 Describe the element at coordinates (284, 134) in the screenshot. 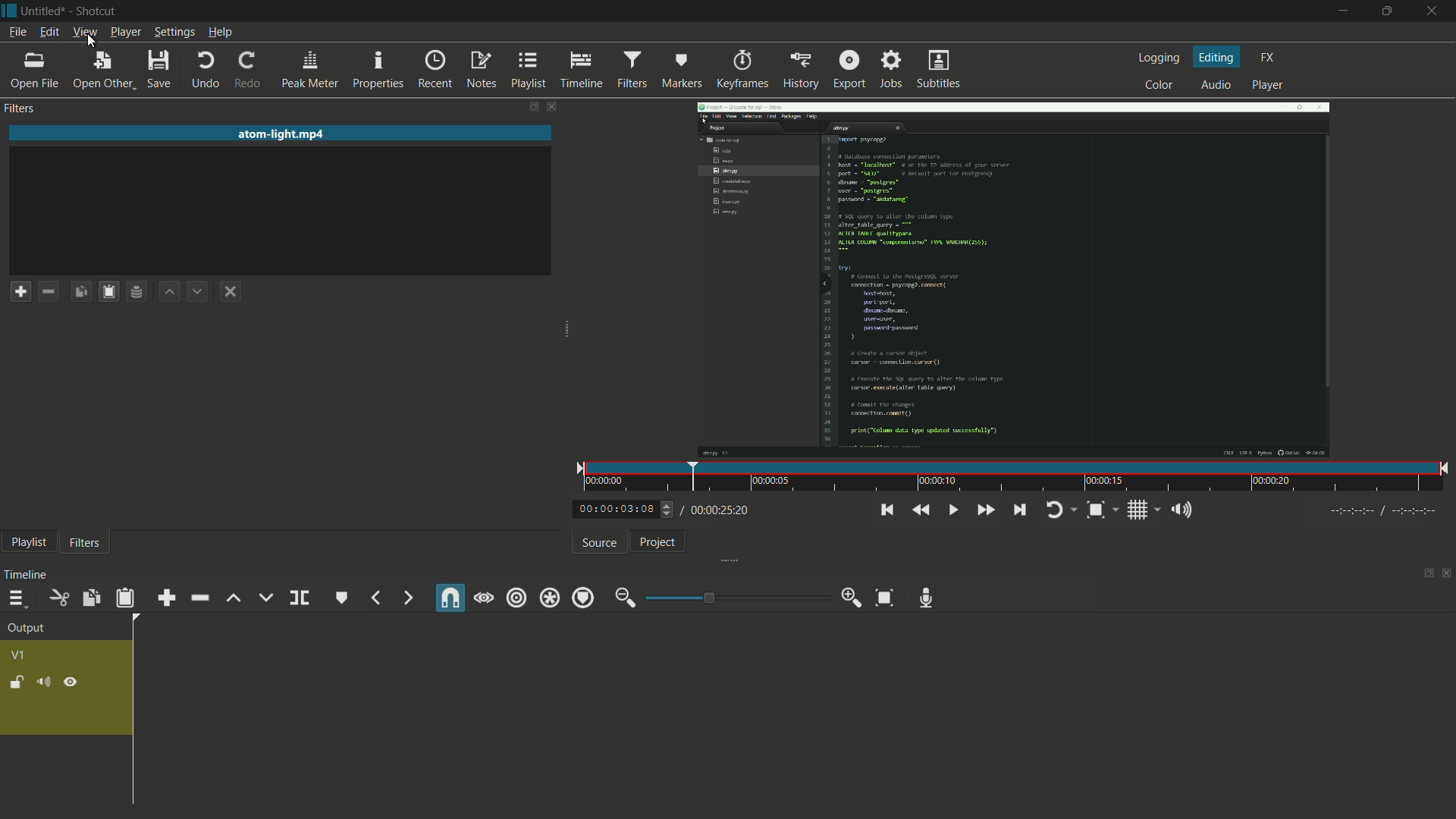

I see `file name` at that location.